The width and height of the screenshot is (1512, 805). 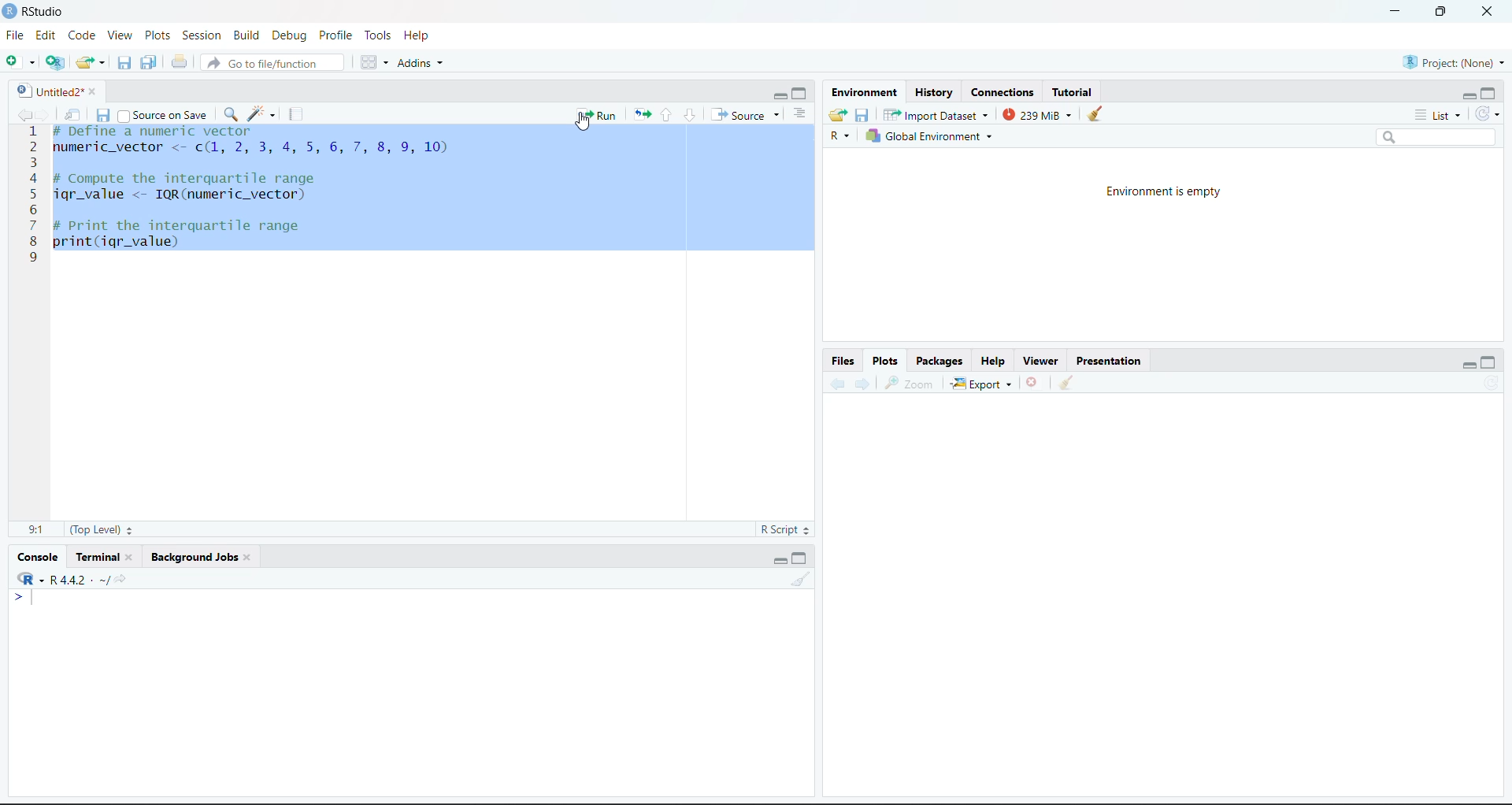 I want to click on Maximize/Restore, so click(x=1440, y=12).